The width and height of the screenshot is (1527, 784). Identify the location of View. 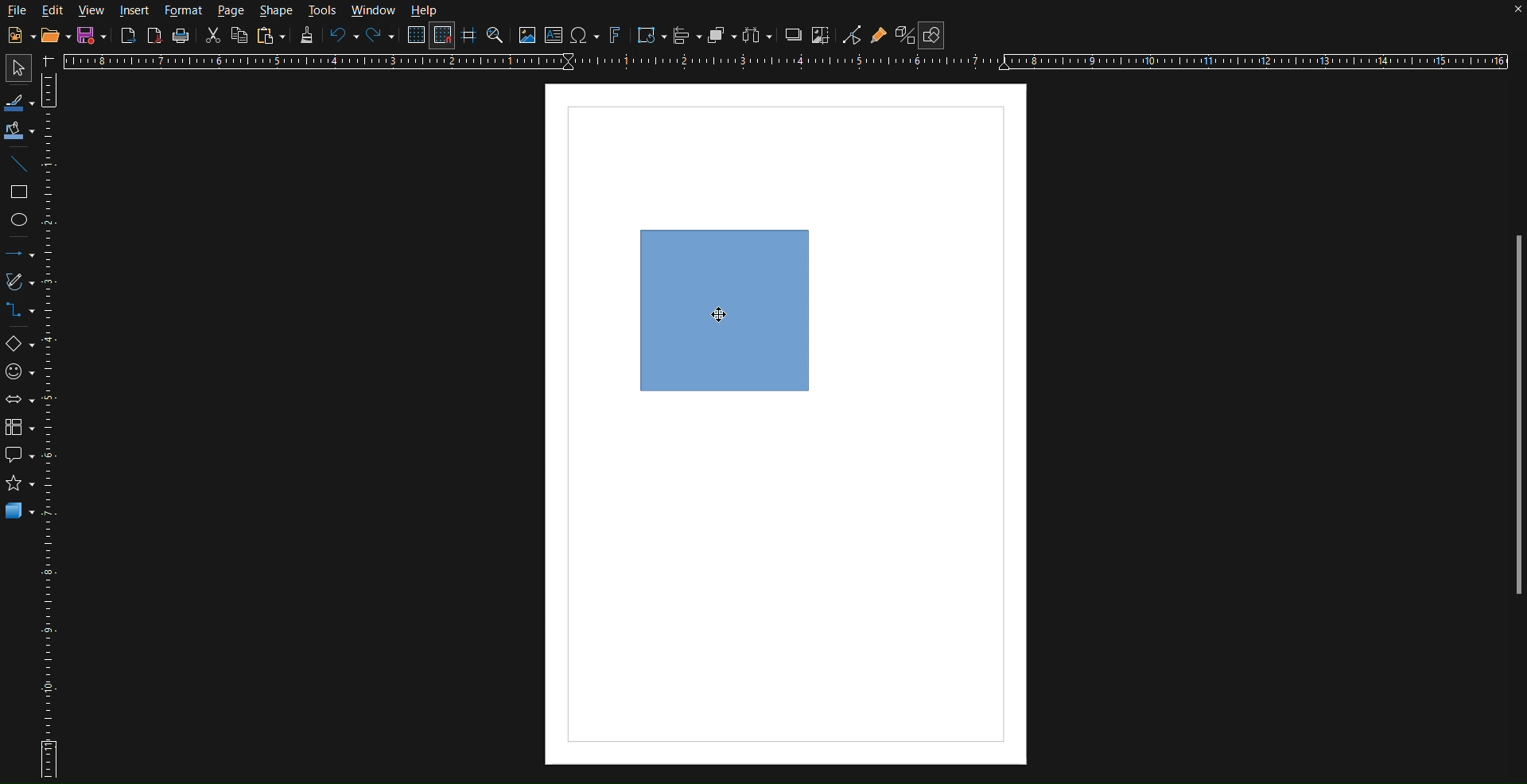
(94, 11).